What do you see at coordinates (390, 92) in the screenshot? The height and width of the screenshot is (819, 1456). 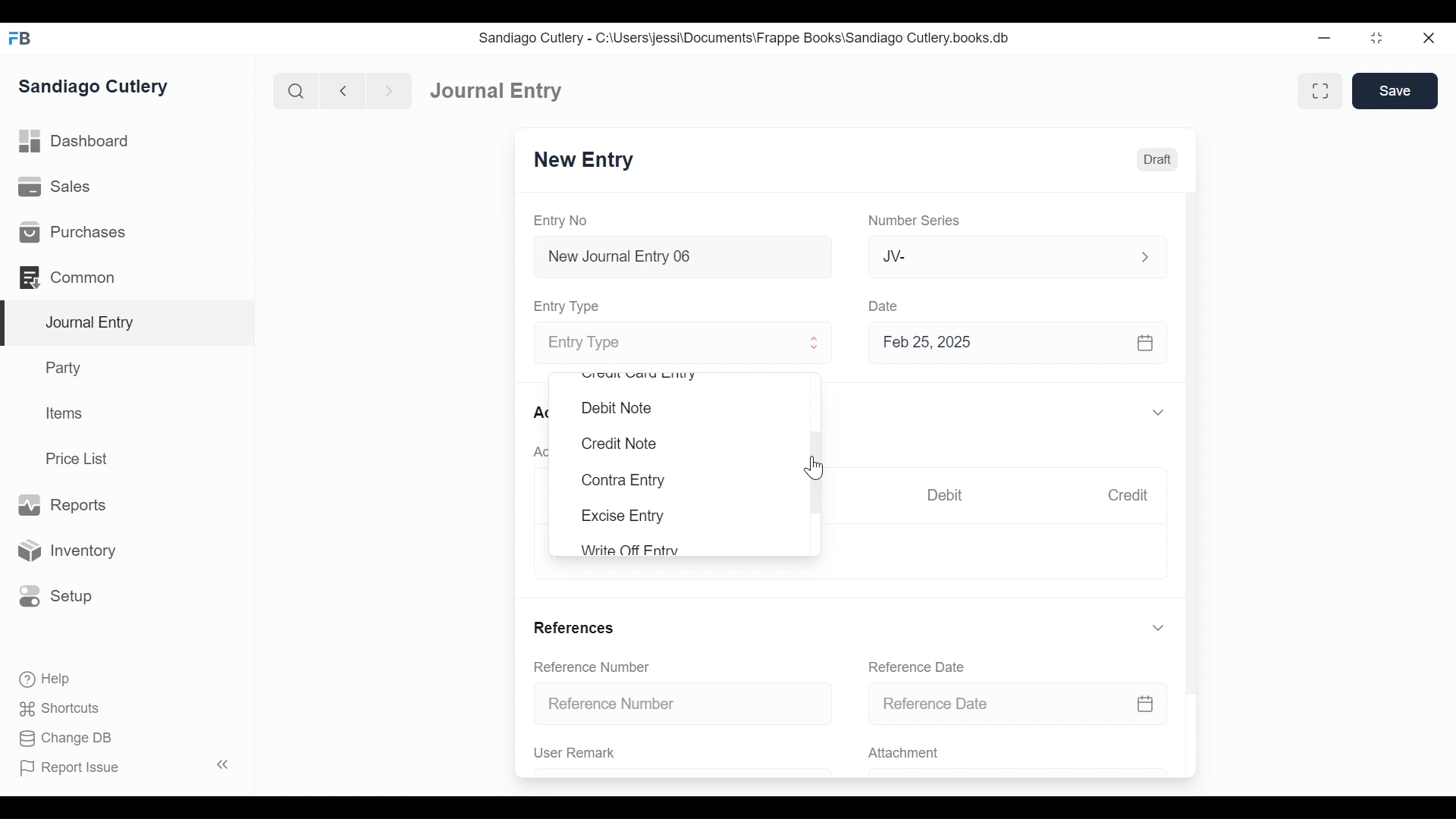 I see `Navigate Forward` at bounding box center [390, 92].